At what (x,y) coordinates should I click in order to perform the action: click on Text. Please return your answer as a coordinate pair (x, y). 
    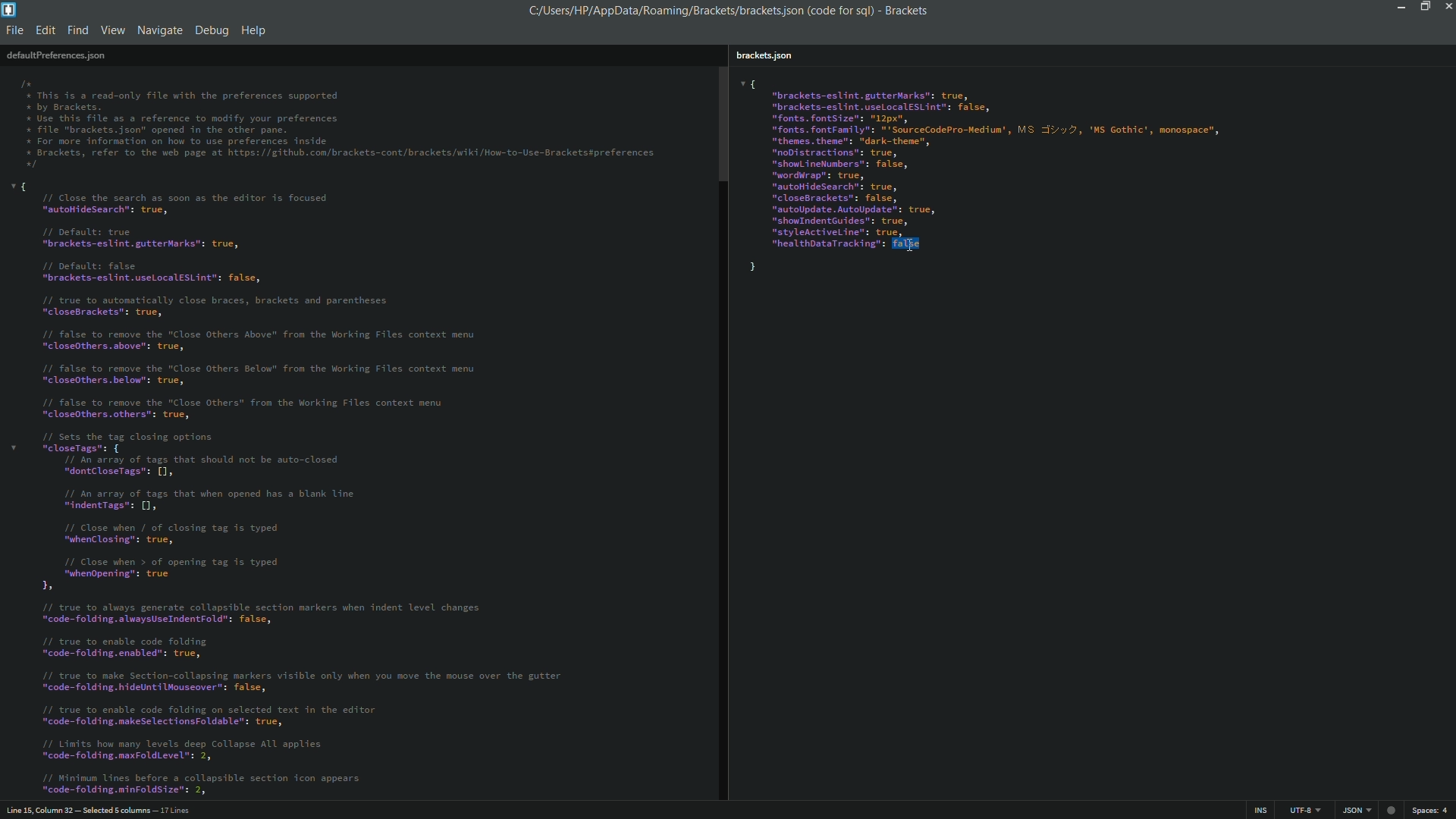
    Looking at the image, I should click on (340, 126).